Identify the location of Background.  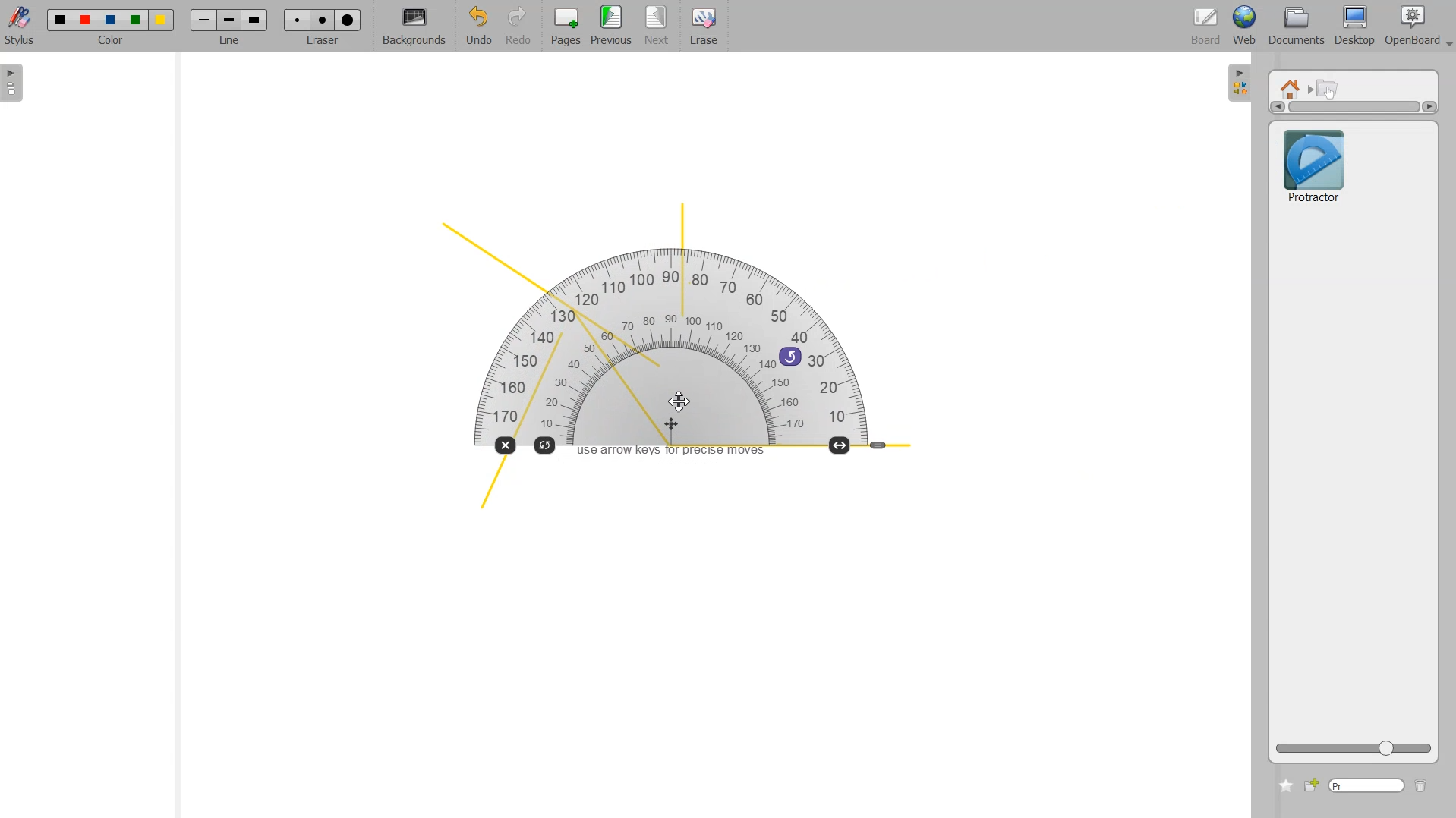
(414, 27).